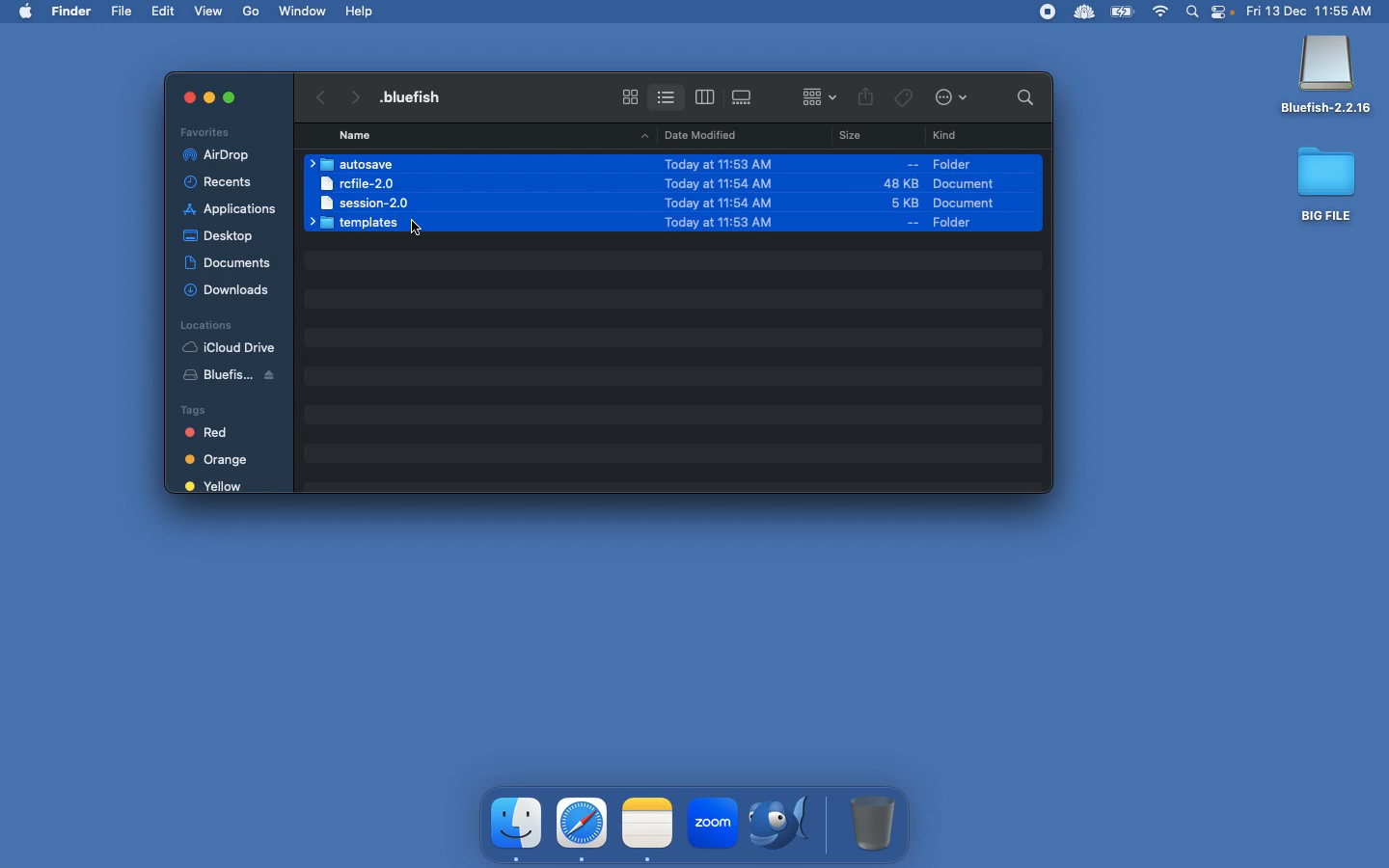 This screenshot has width=1389, height=868. Describe the element at coordinates (208, 100) in the screenshot. I see `minimize` at that location.